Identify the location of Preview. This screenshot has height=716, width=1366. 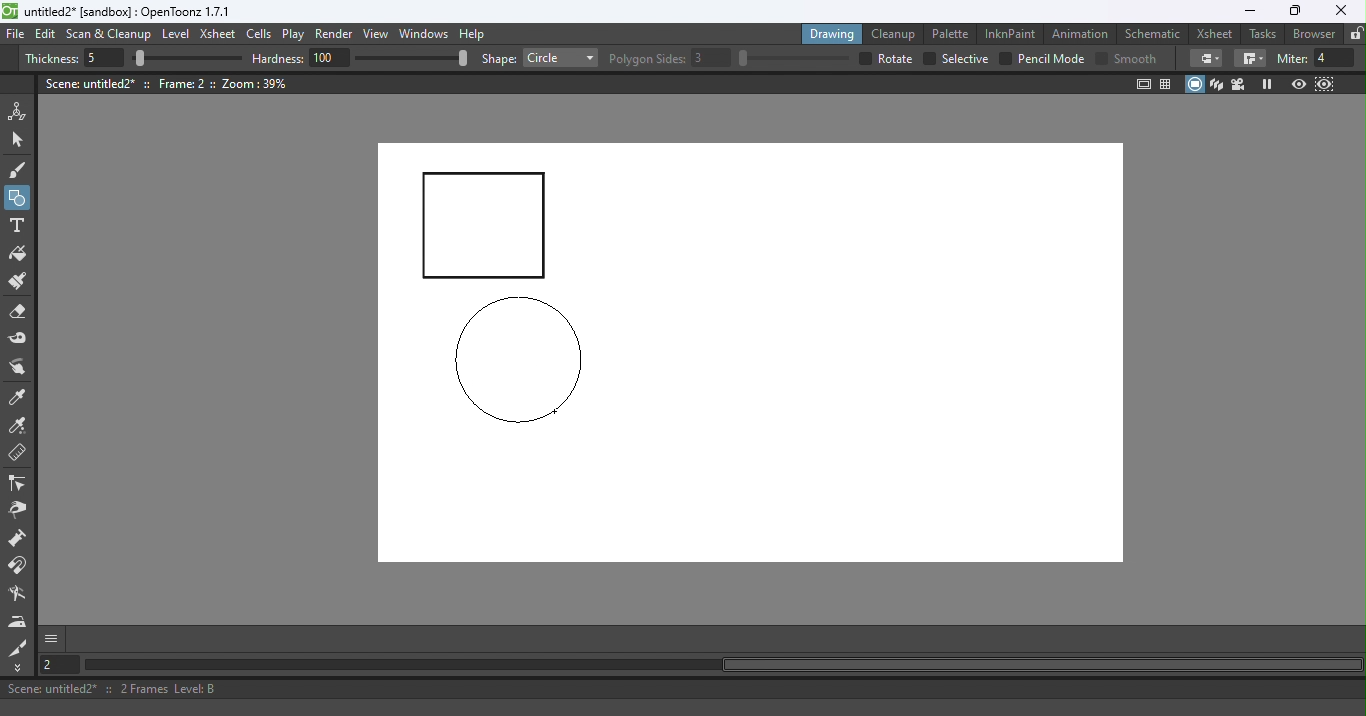
(1298, 85).